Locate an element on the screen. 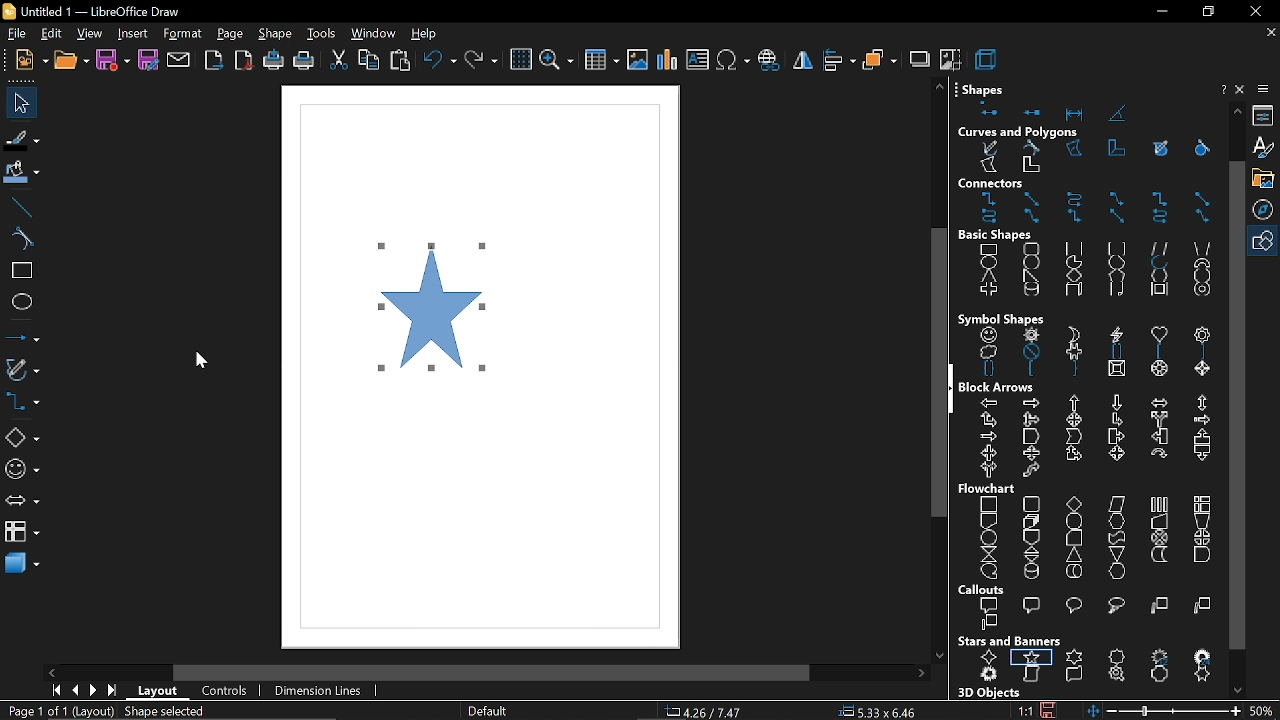 This screenshot has height=720, width=1280. flowchart is located at coordinates (993, 486).